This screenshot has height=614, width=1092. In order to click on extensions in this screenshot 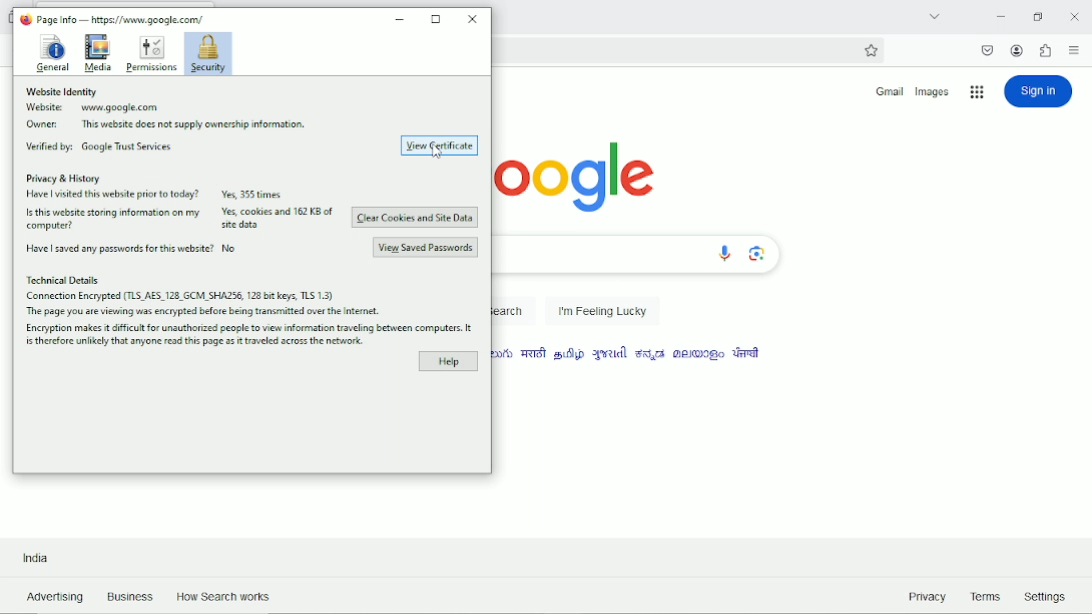, I will do `click(1046, 49)`.